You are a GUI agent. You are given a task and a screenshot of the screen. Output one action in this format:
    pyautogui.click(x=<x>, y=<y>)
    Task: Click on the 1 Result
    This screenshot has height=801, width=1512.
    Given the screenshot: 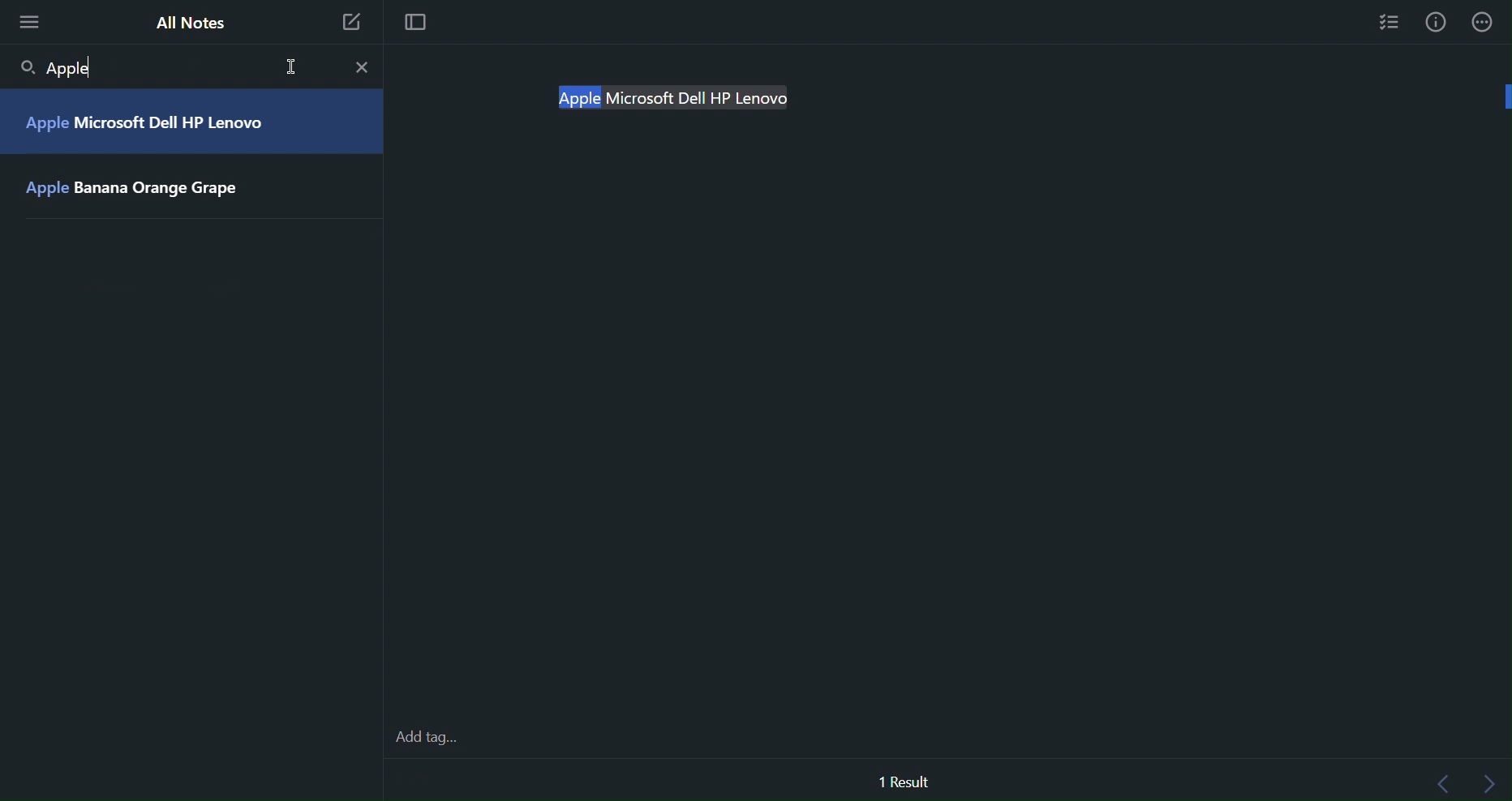 What is the action you would take?
    pyautogui.click(x=904, y=783)
    